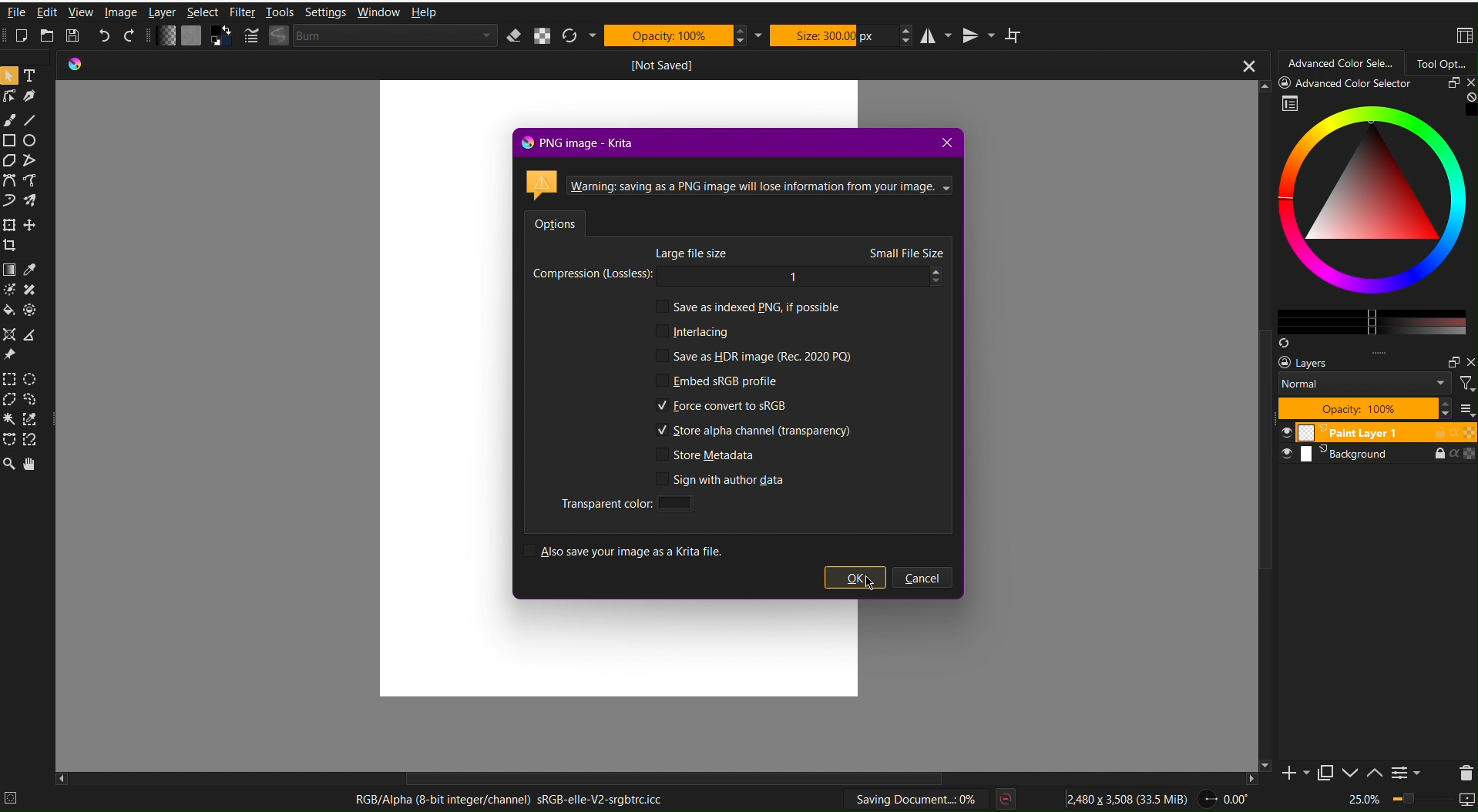 The height and width of the screenshot is (812, 1478). Describe the element at coordinates (707, 455) in the screenshot. I see `Store Metadata` at that location.